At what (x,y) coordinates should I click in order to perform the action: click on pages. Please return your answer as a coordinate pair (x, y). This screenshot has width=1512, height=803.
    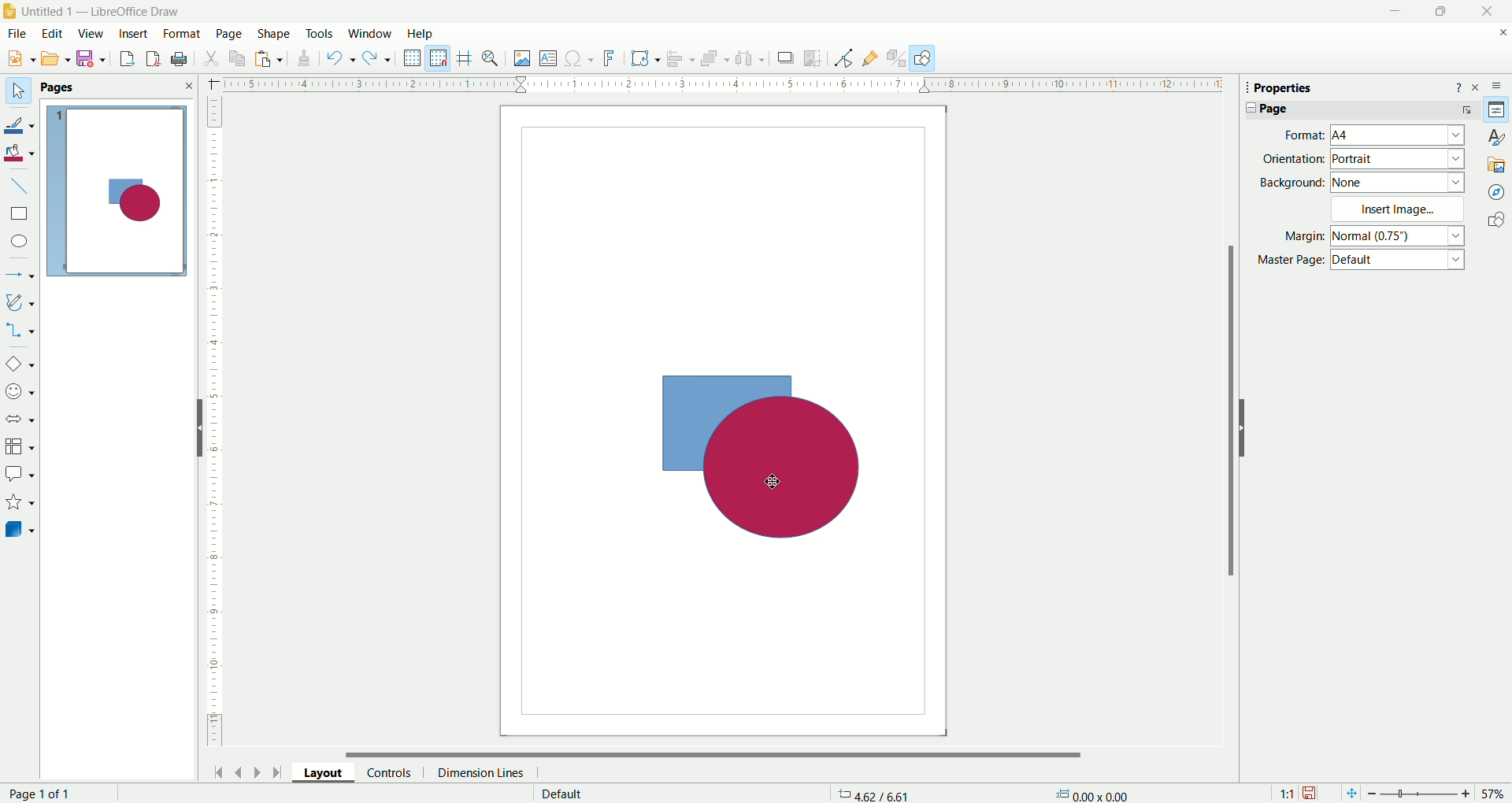
    Looking at the image, I should click on (117, 87).